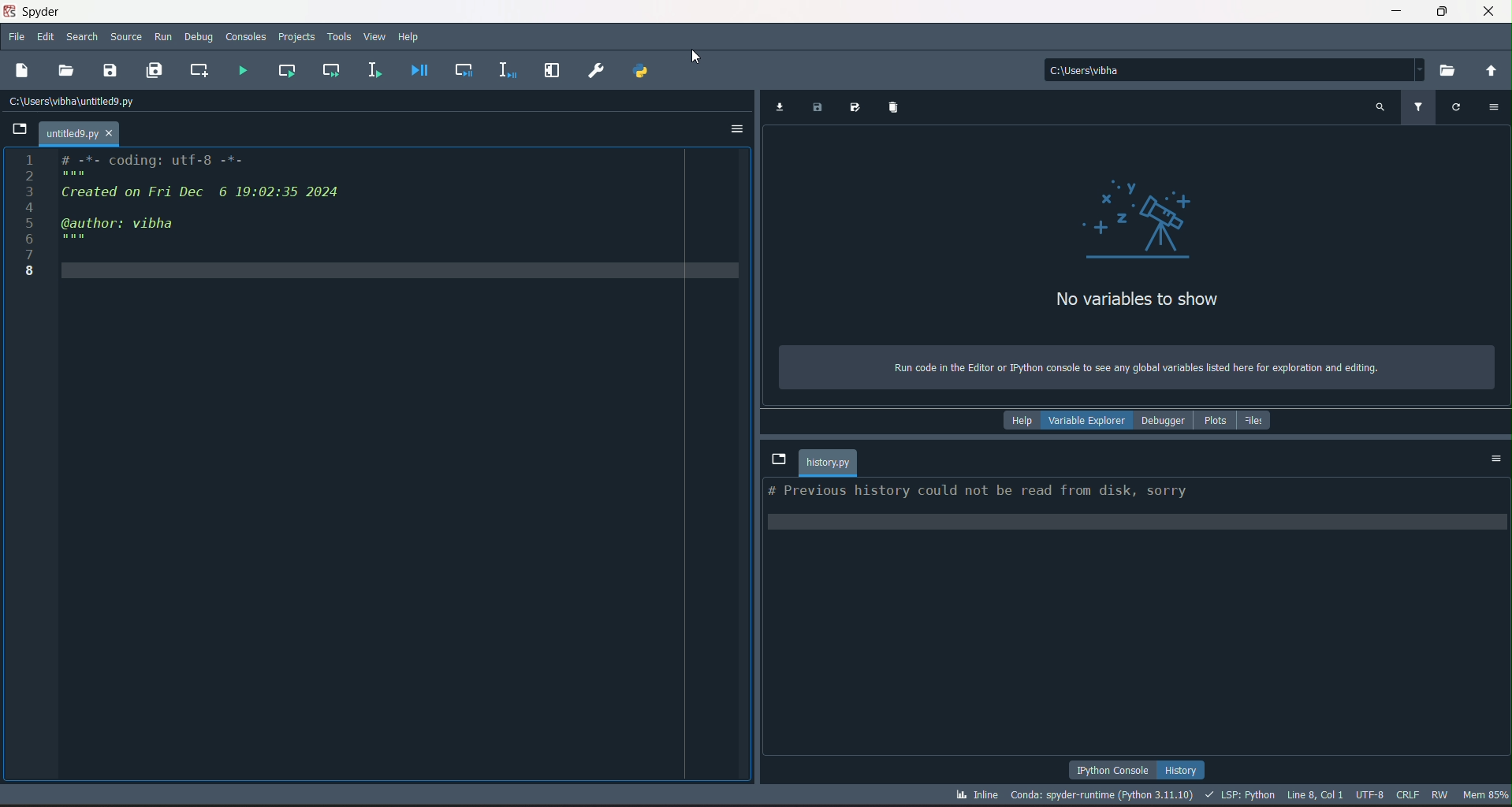 This screenshot has height=807, width=1512. I want to click on debug selection, so click(503, 70).